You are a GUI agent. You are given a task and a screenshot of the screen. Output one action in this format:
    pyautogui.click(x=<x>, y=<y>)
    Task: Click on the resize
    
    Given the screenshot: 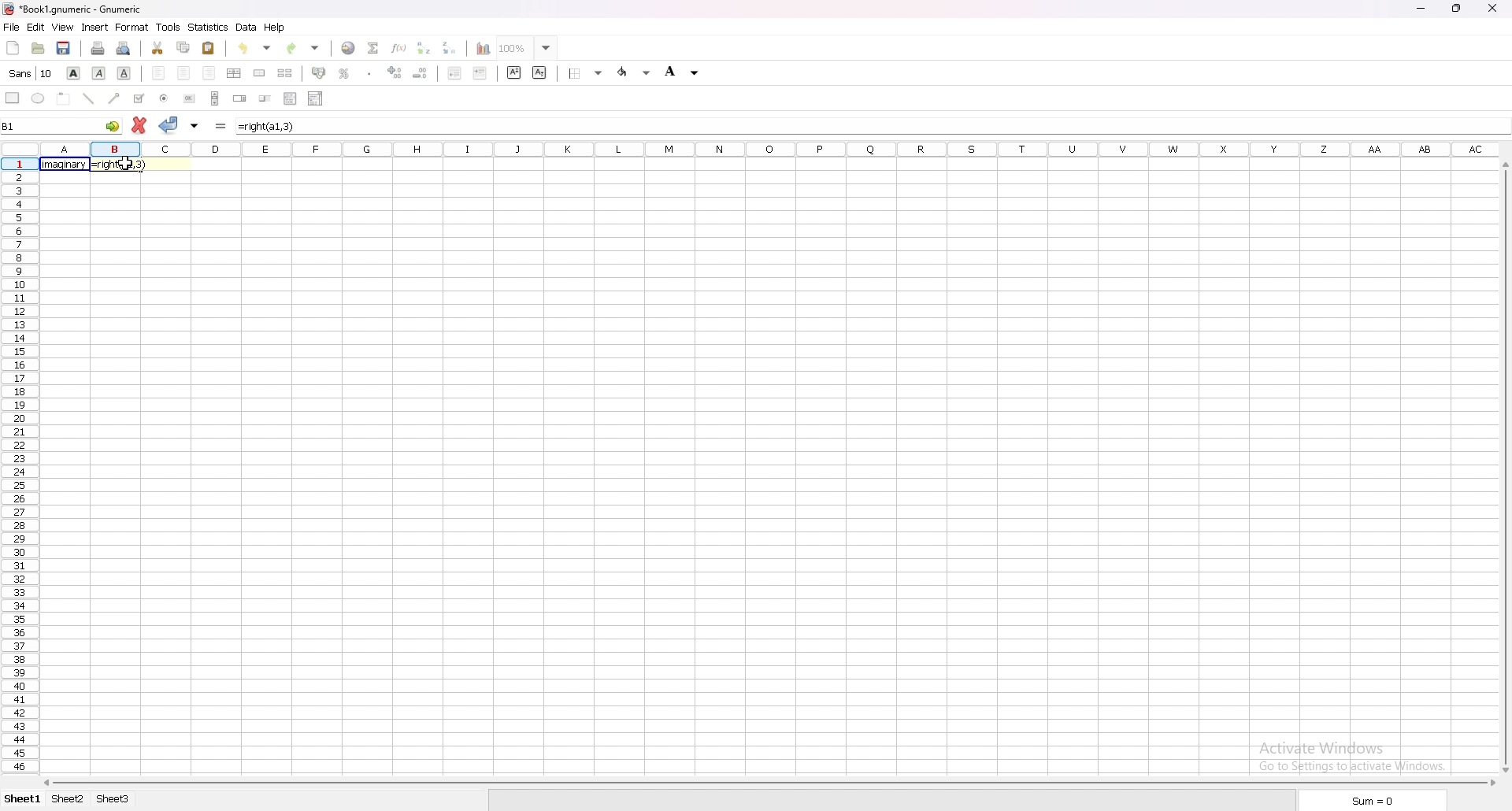 What is the action you would take?
    pyautogui.click(x=1456, y=9)
    